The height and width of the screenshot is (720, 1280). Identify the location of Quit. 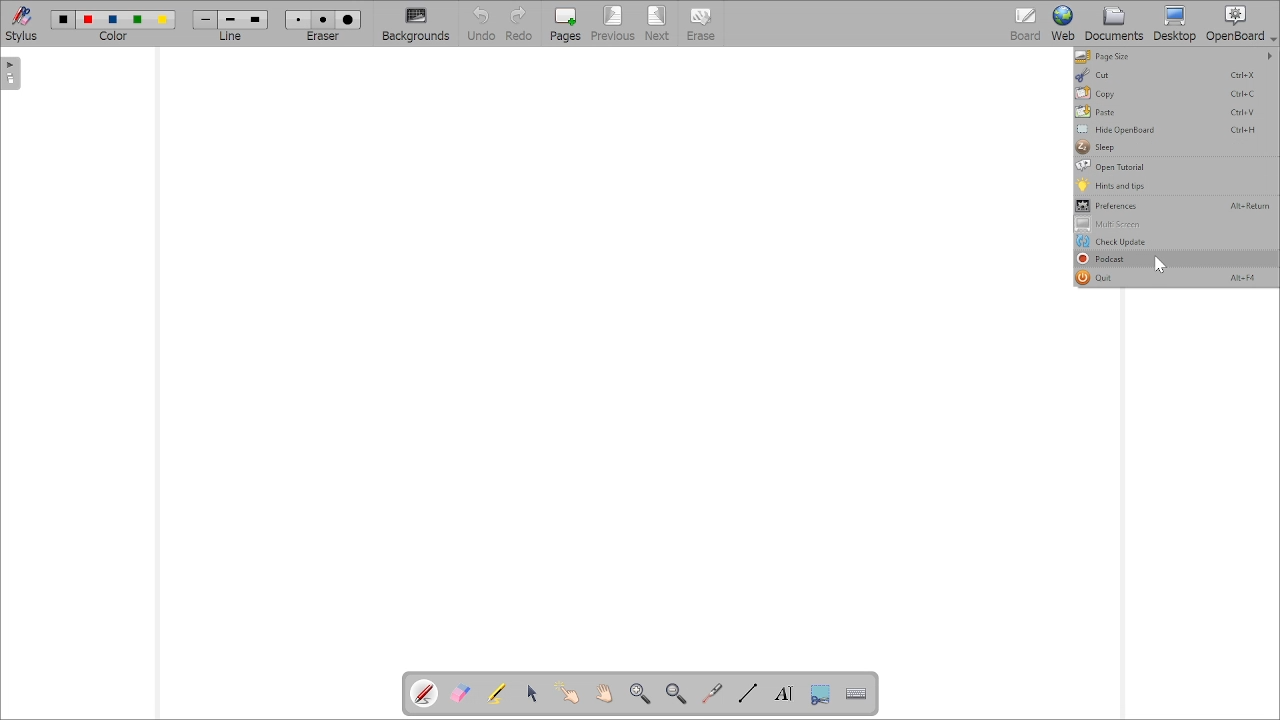
(1174, 277).